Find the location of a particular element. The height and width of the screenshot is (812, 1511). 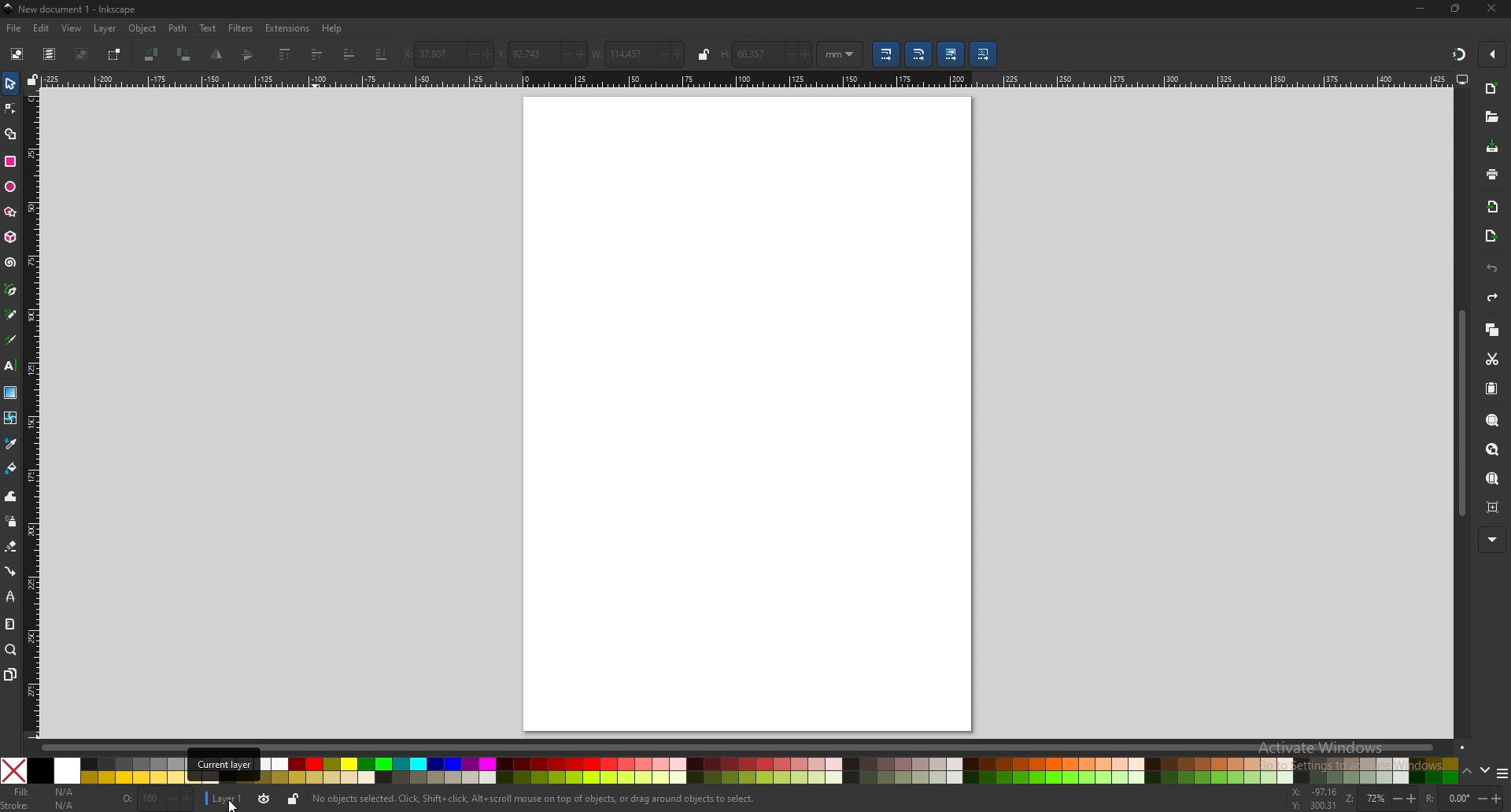

select all objects is located at coordinates (17, 53).